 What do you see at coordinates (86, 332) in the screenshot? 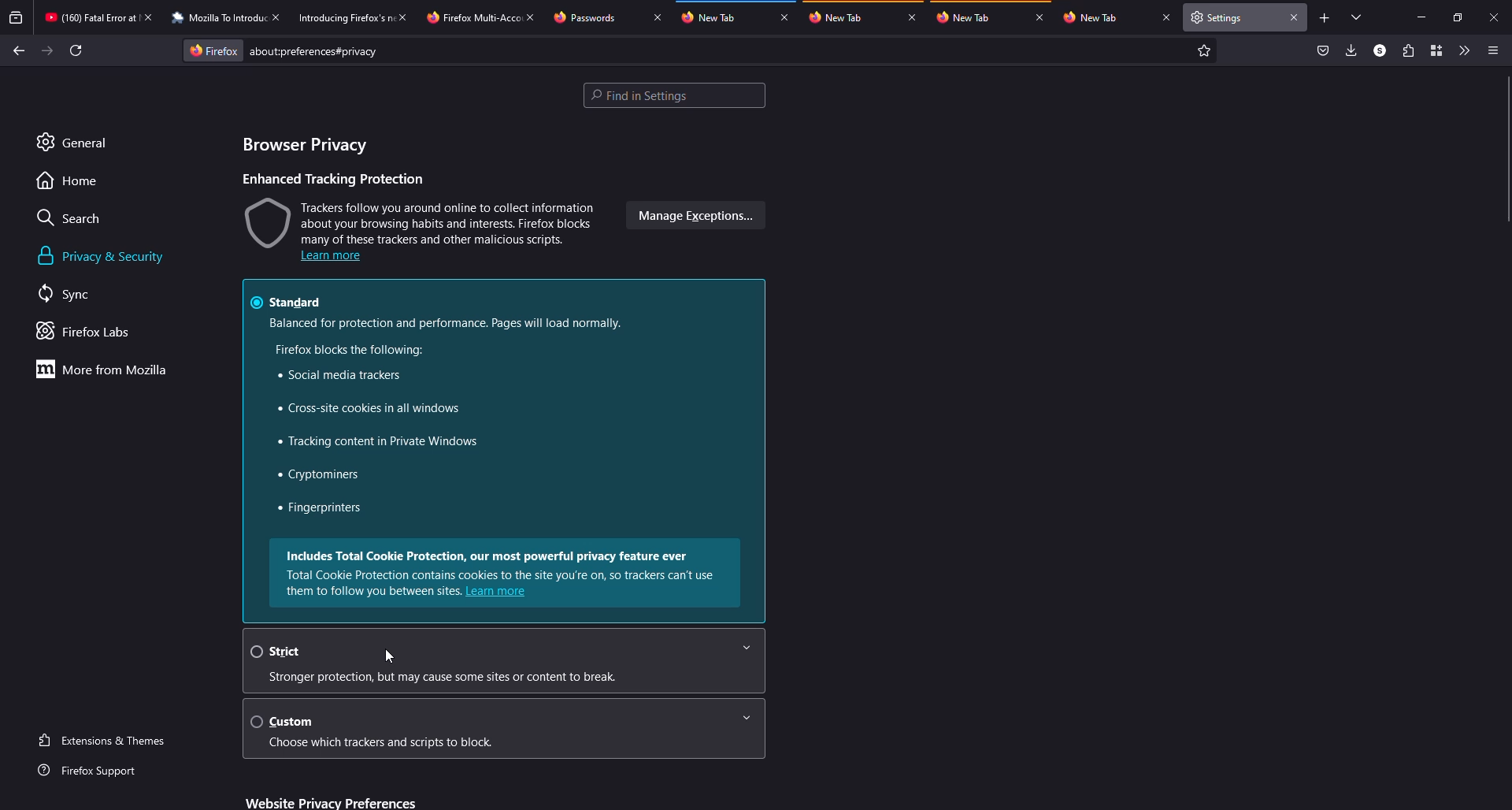
I see `firefox labs` at bounding box center [86, 332].